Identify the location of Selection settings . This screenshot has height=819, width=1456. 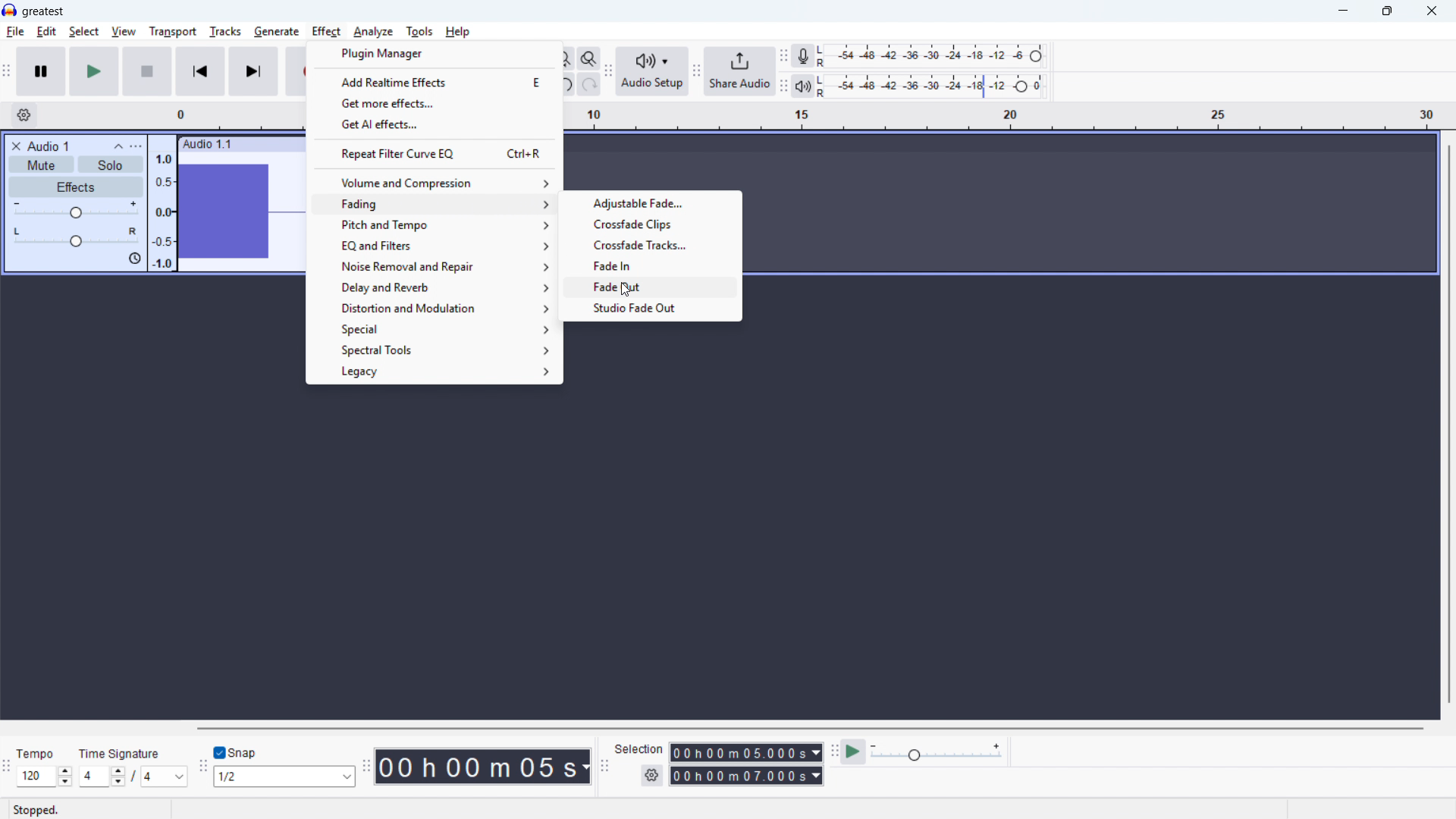
(653, 775).